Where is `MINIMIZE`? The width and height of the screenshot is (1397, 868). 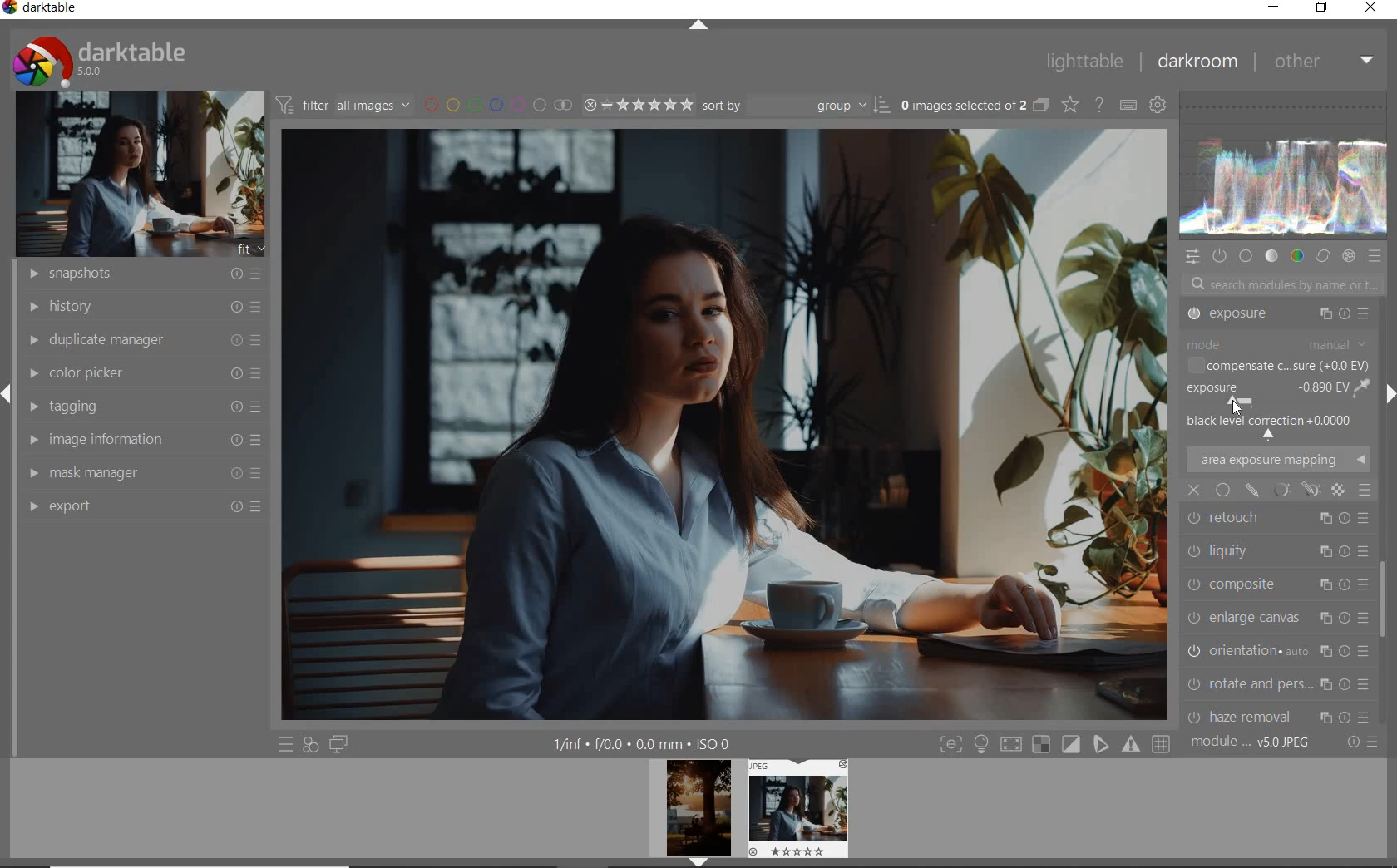 MINIMIZE is located at coordinates (1271, 7).